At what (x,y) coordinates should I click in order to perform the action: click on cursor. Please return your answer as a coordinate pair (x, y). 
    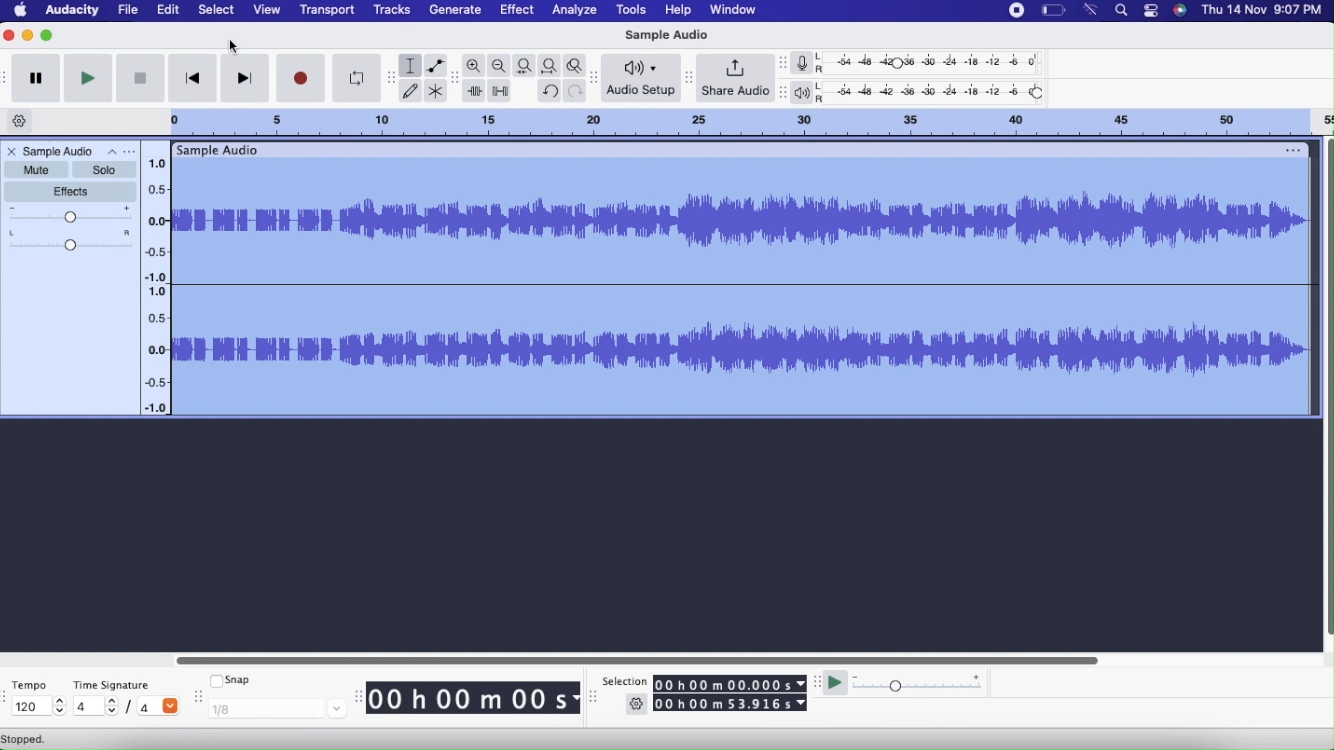
    Looking at the image, I should click on (236, 48).